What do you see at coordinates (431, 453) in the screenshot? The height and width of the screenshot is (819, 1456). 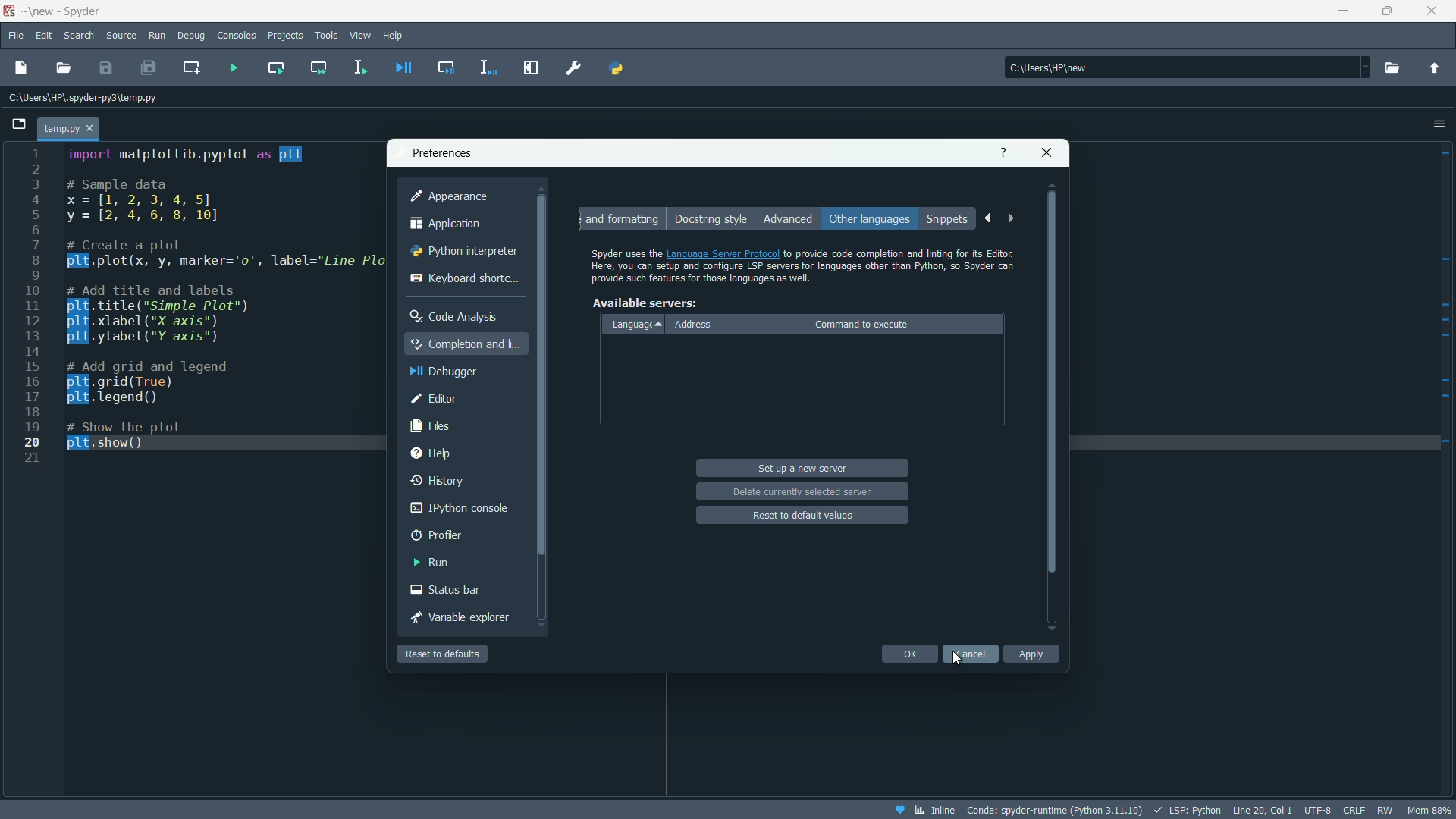 I see `help` at bounding box center [431, 453].